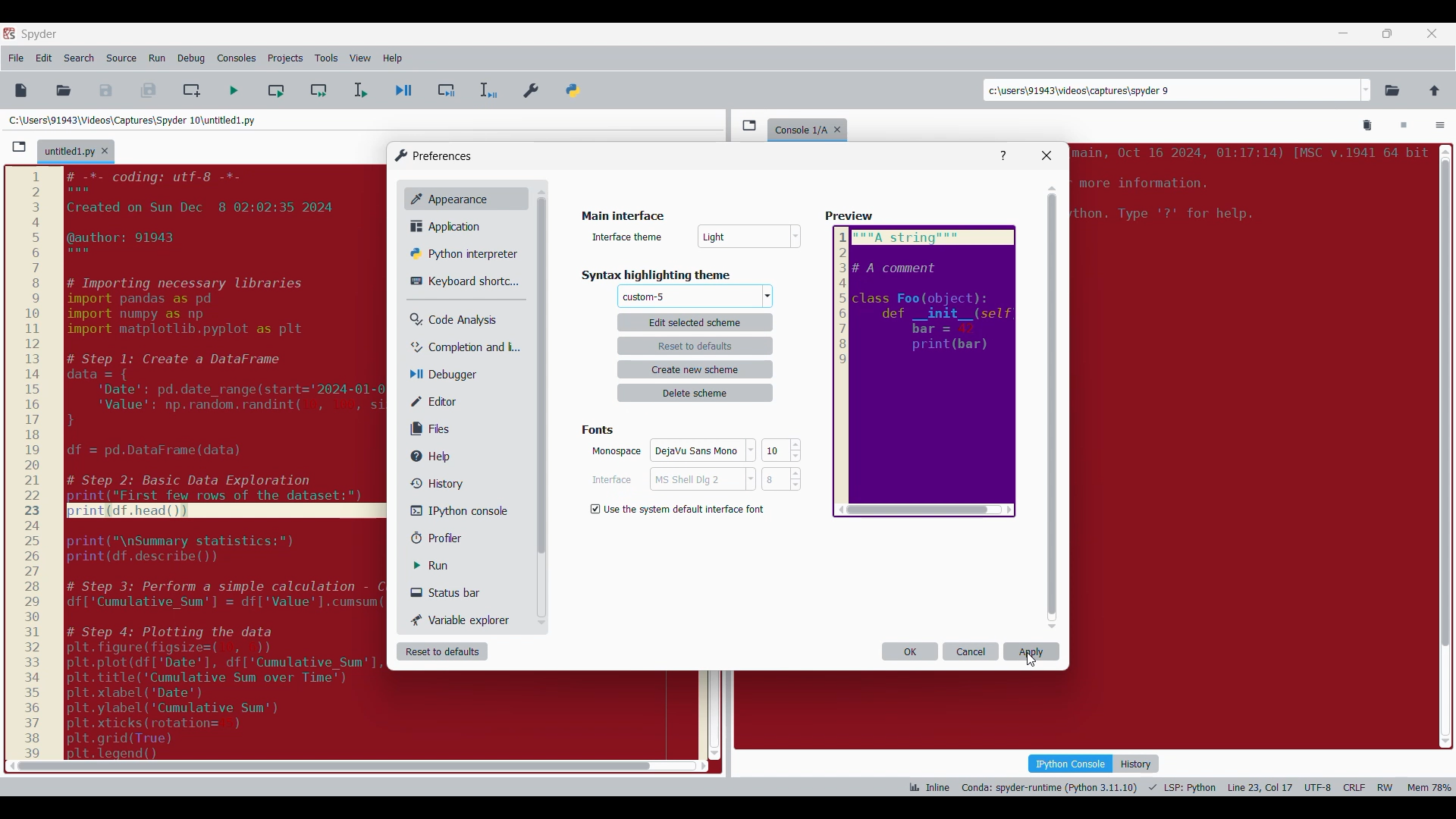  I want to click on Indicates text box for scheme name, so click(629, 236).